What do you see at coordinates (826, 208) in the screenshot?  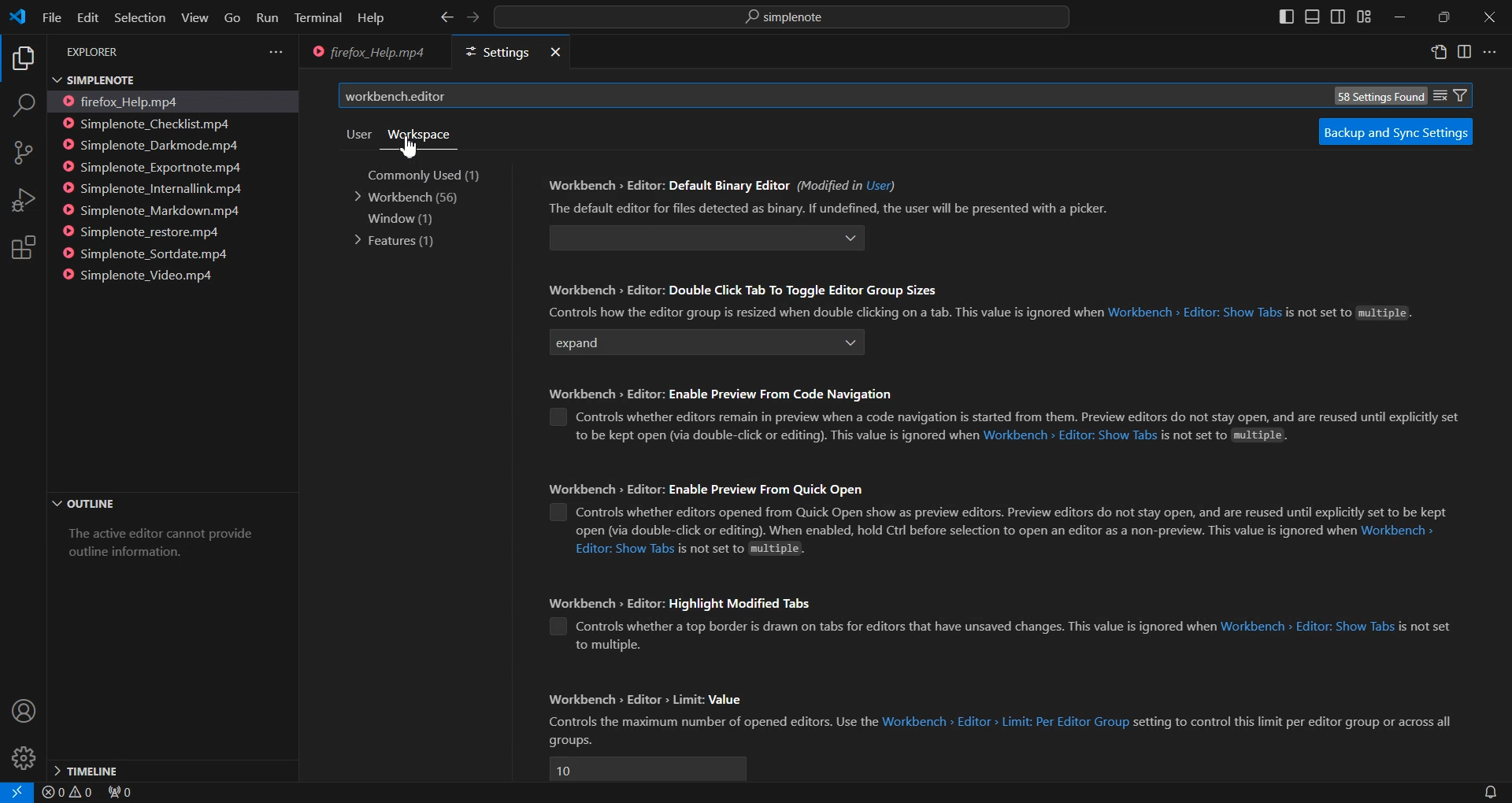 I see `The default editor for files detected as binary. If undefined, the user will be presented with a picker.` at bounding box center [826, 208].